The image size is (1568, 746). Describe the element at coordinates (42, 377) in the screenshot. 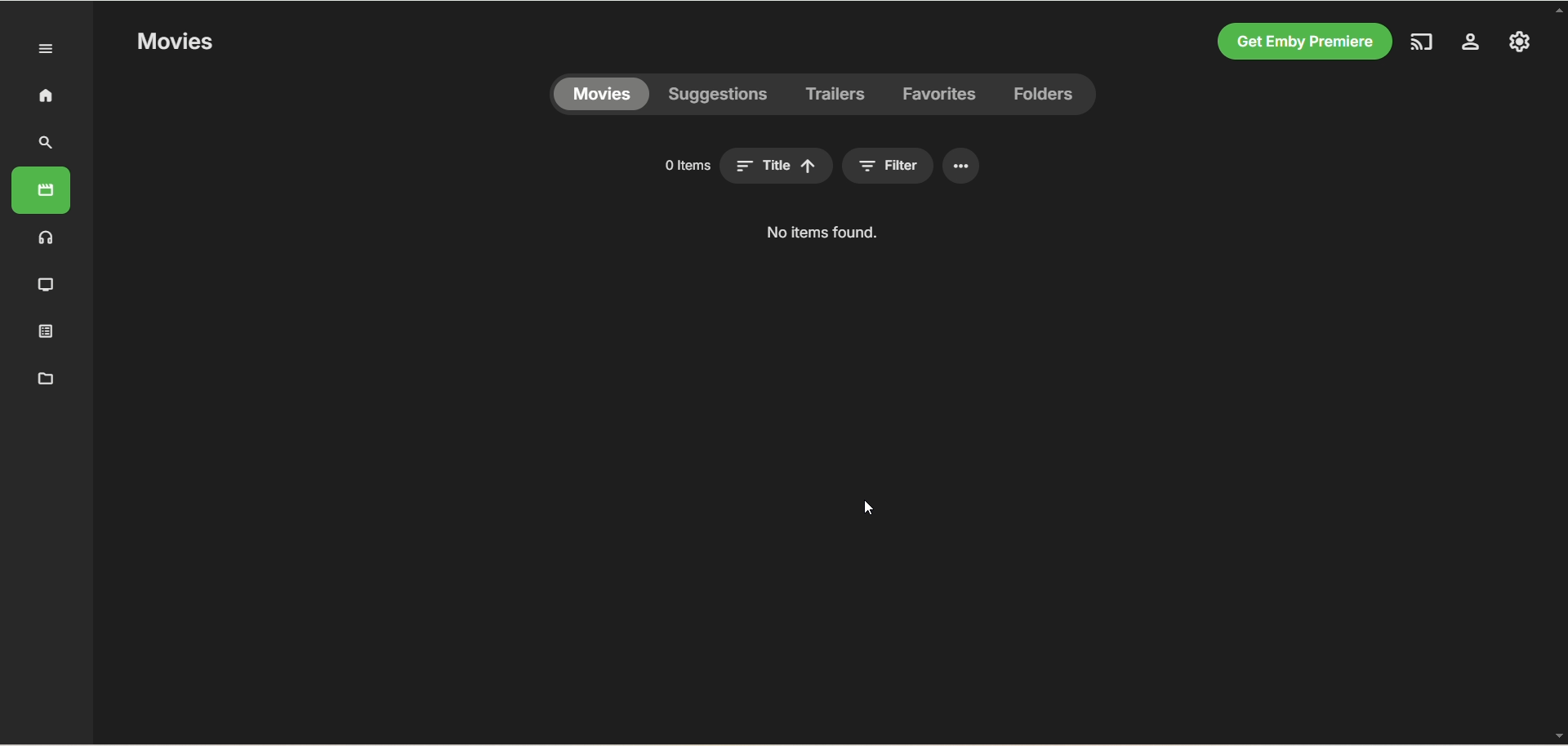

I see `metadata manager` at that location.